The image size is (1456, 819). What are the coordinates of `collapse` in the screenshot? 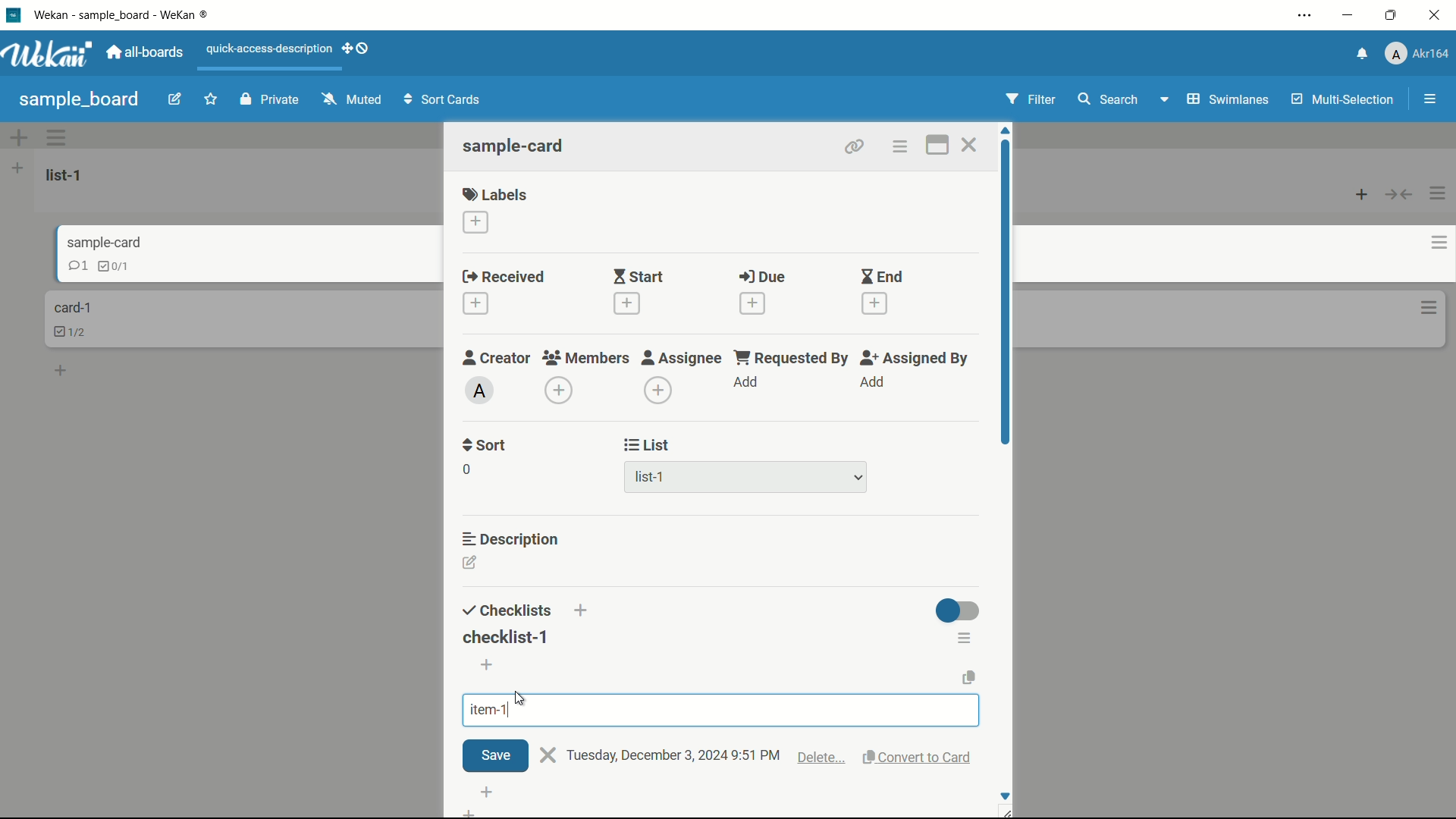 It's located at (1399, 196).